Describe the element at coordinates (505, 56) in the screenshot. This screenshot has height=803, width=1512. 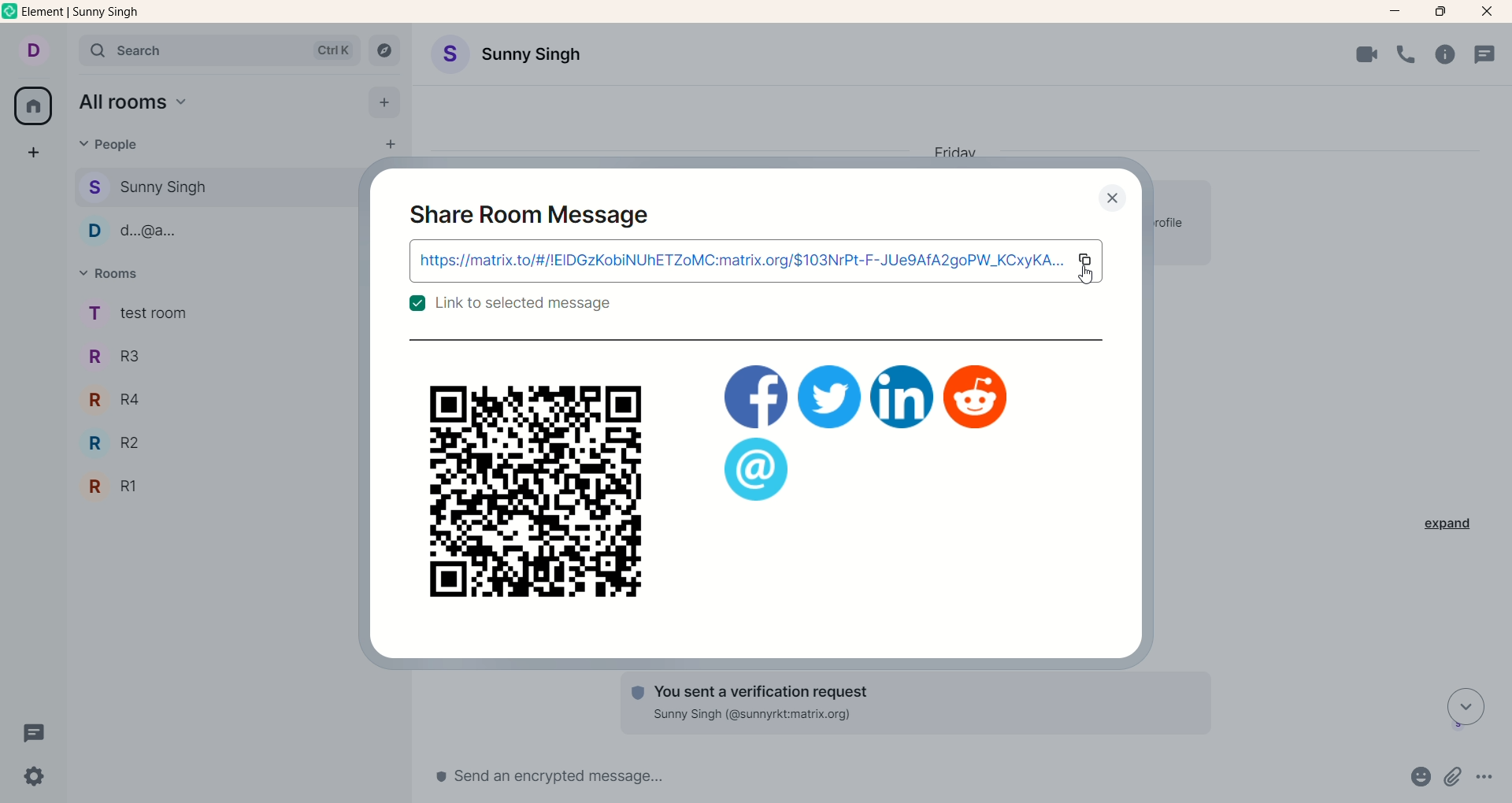
I see `account` at that location.